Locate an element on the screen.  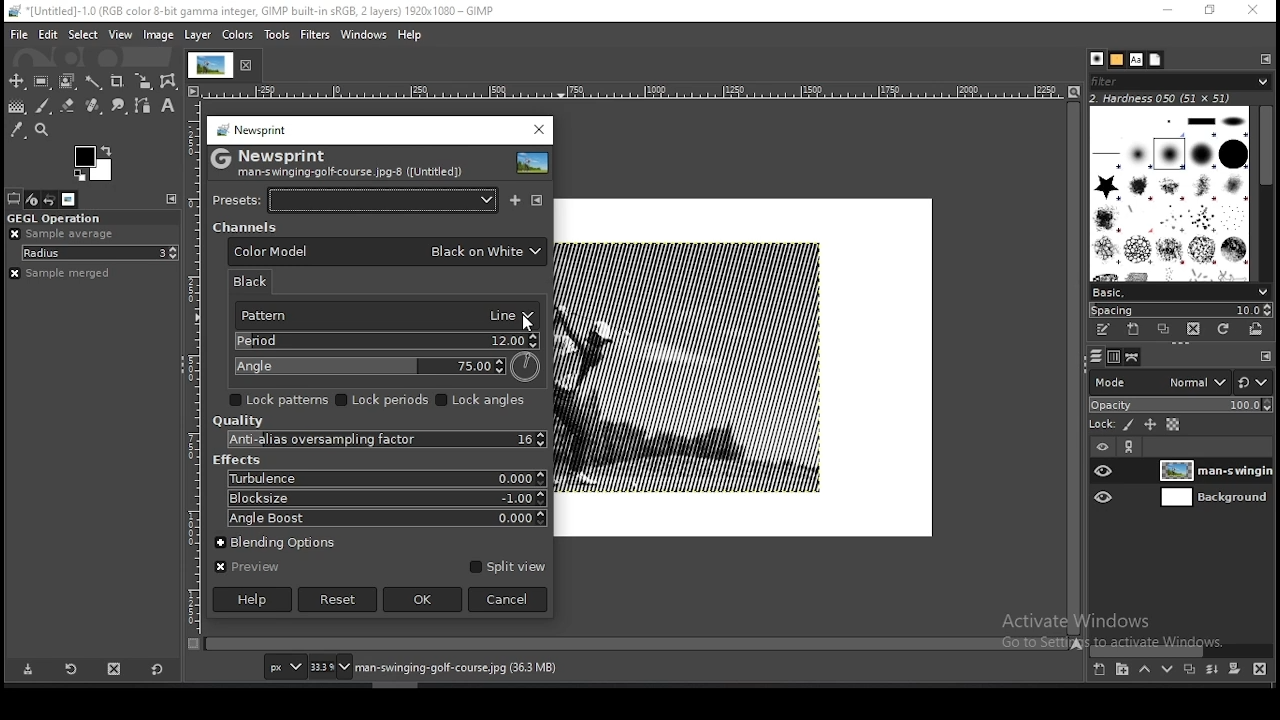
paintbrush tool is located at coordinates (43, 106).